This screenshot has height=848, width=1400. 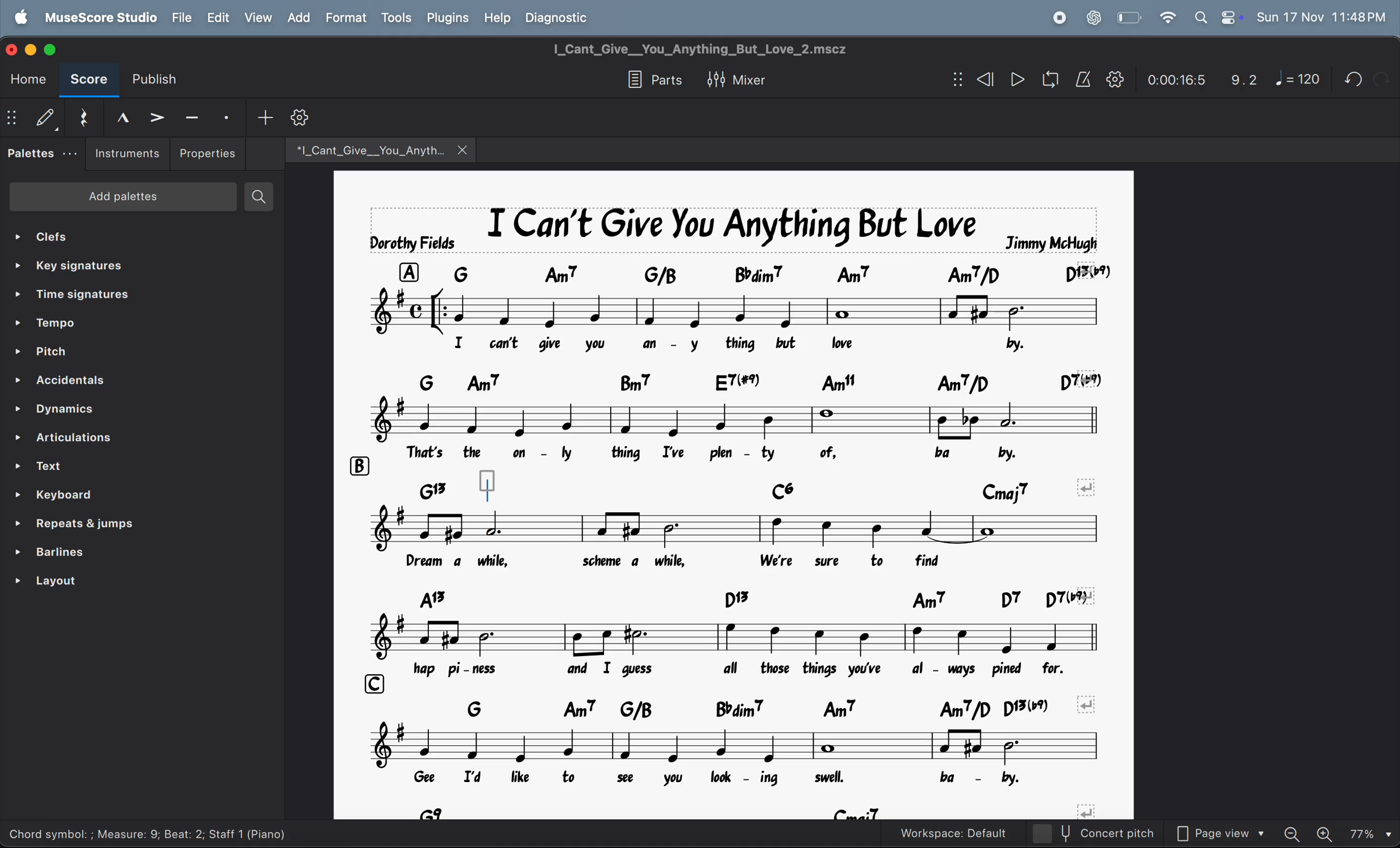 What do you see at coordinates (1220, 833) in the screenshot?
I see `page view` at bounding box center [1220, 833].